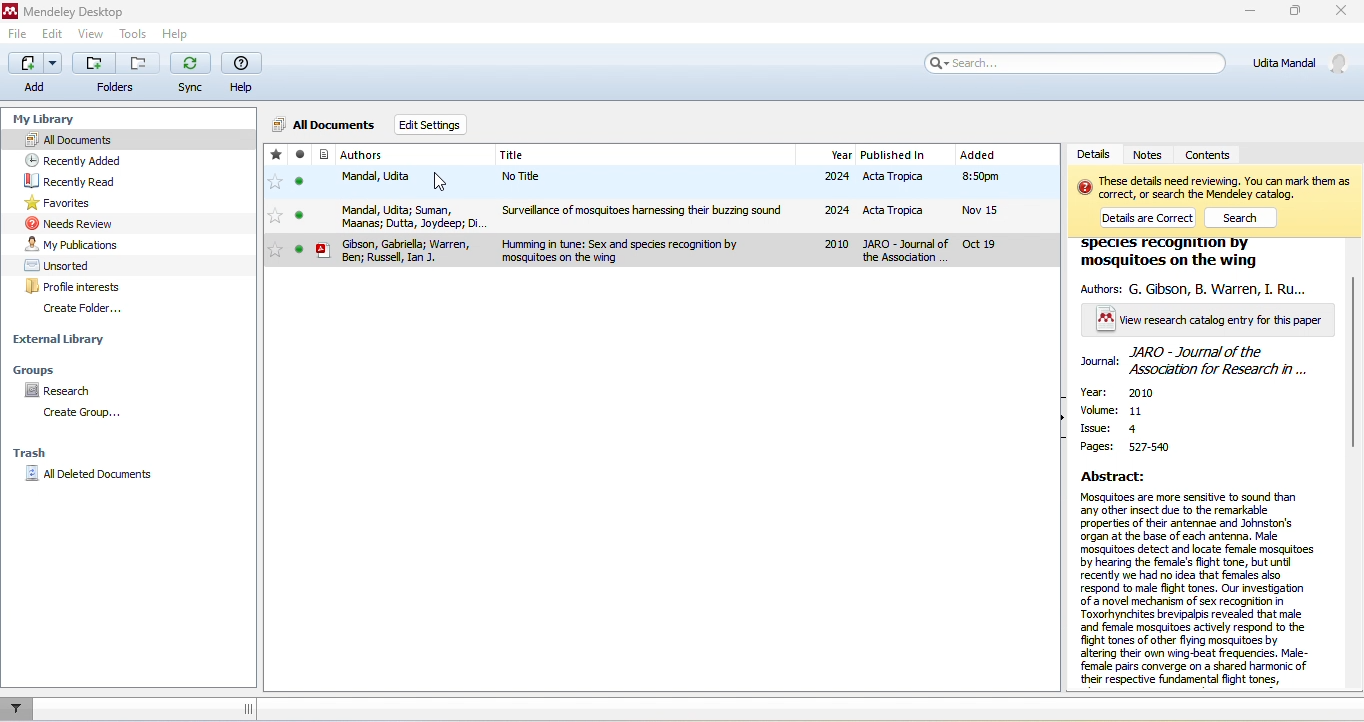  I want to click on species recognition by mosquitoes on the wing, so click(1173, 256).